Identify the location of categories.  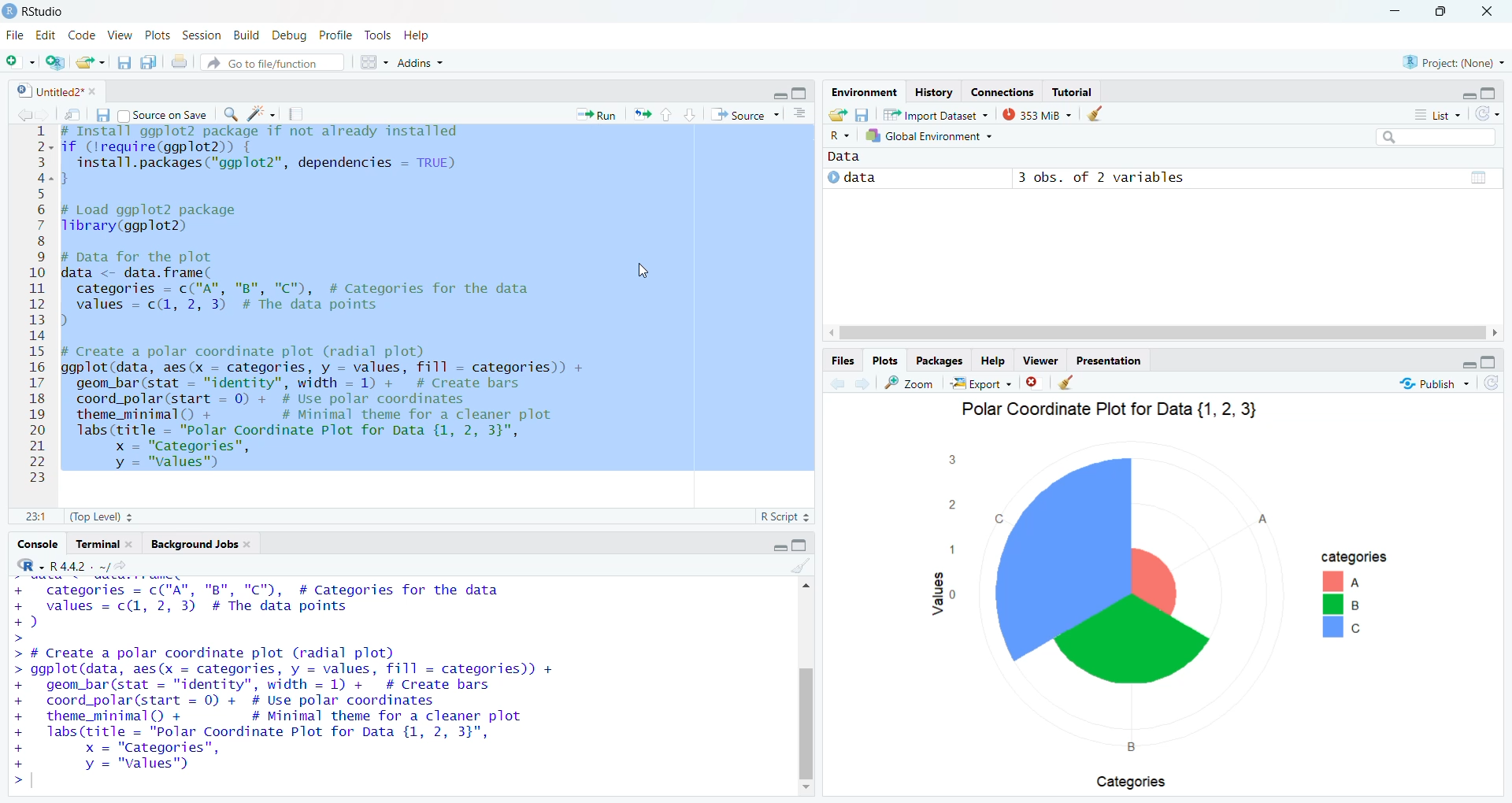
(1360, 557).